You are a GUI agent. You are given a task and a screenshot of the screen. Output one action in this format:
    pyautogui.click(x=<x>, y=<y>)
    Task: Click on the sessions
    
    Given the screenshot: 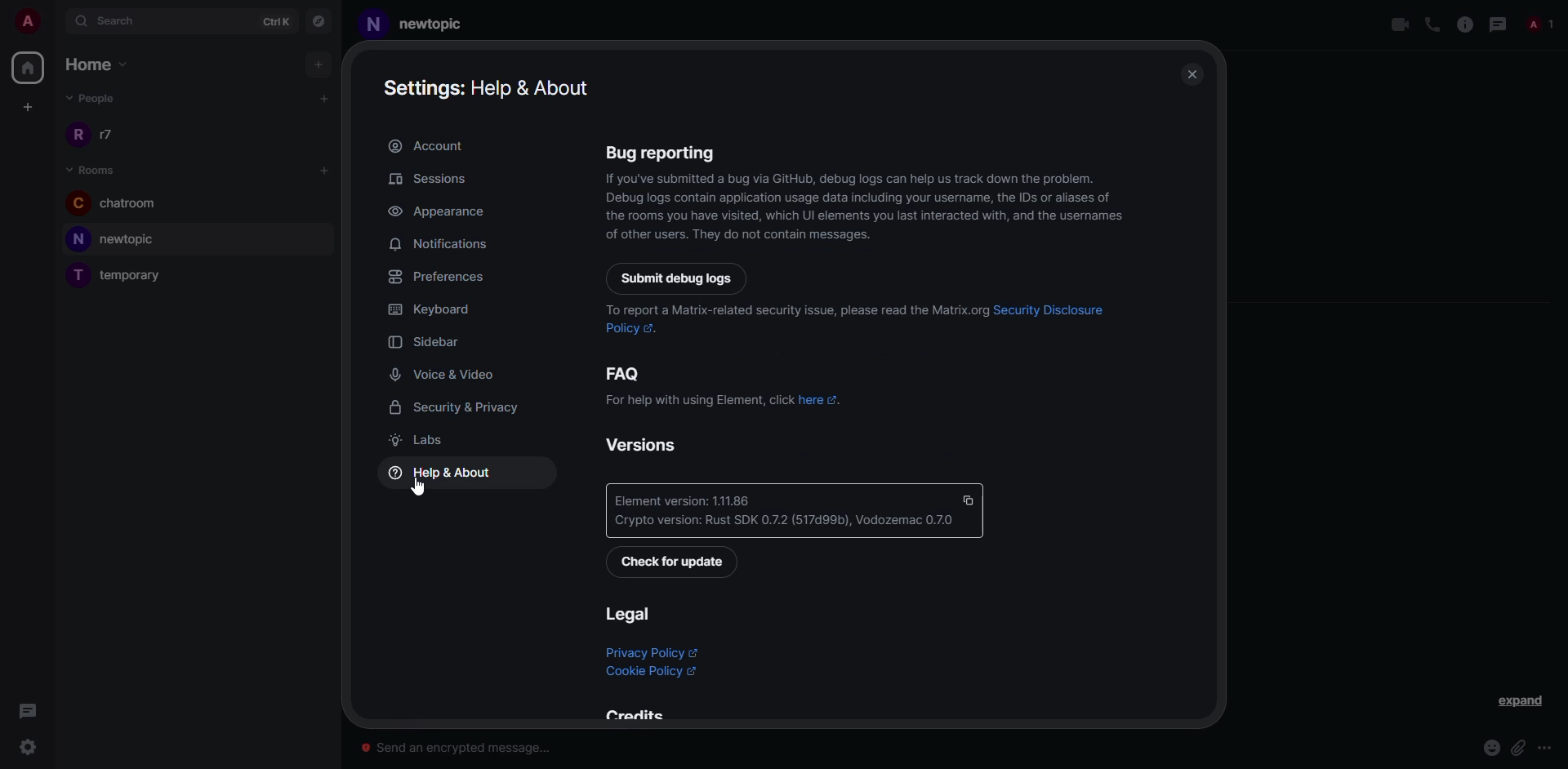 What is the action you would take?
    pyautogui.click(x=442, y=179)
    